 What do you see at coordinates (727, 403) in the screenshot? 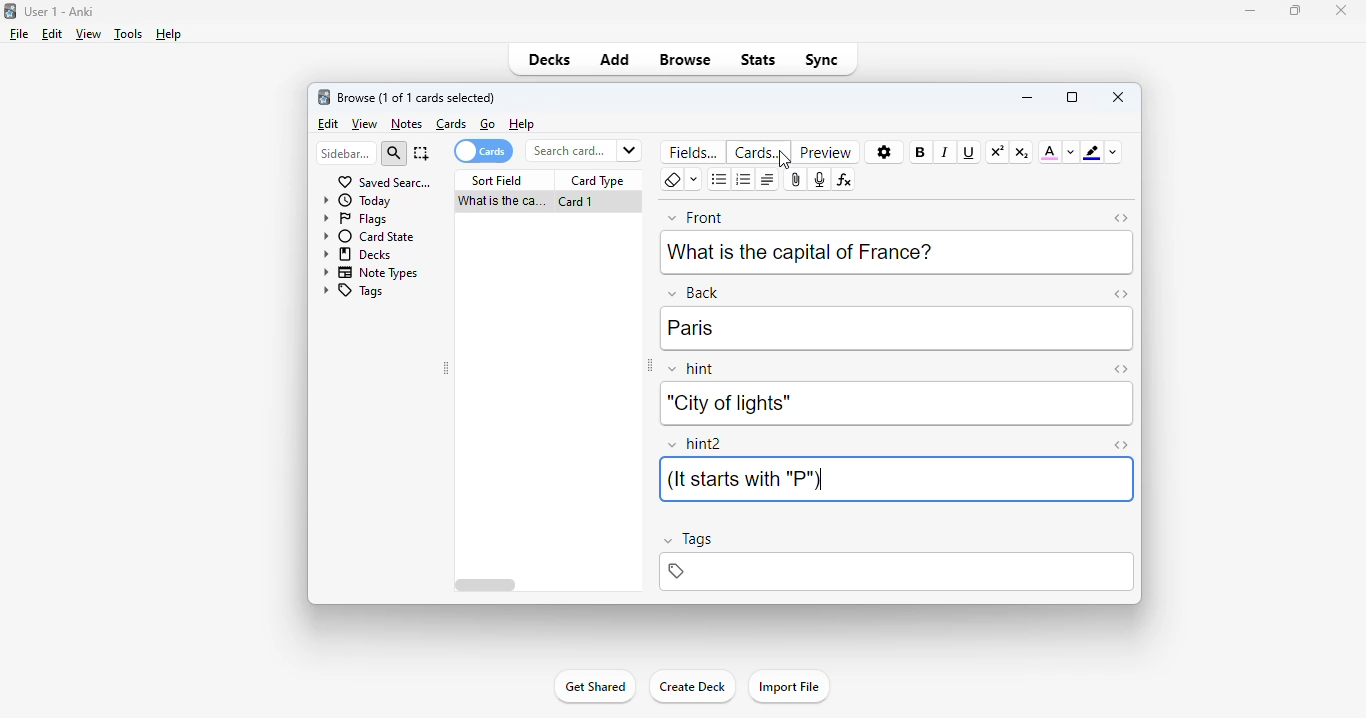
I see `city of lights` at bounding box center [727, 403].